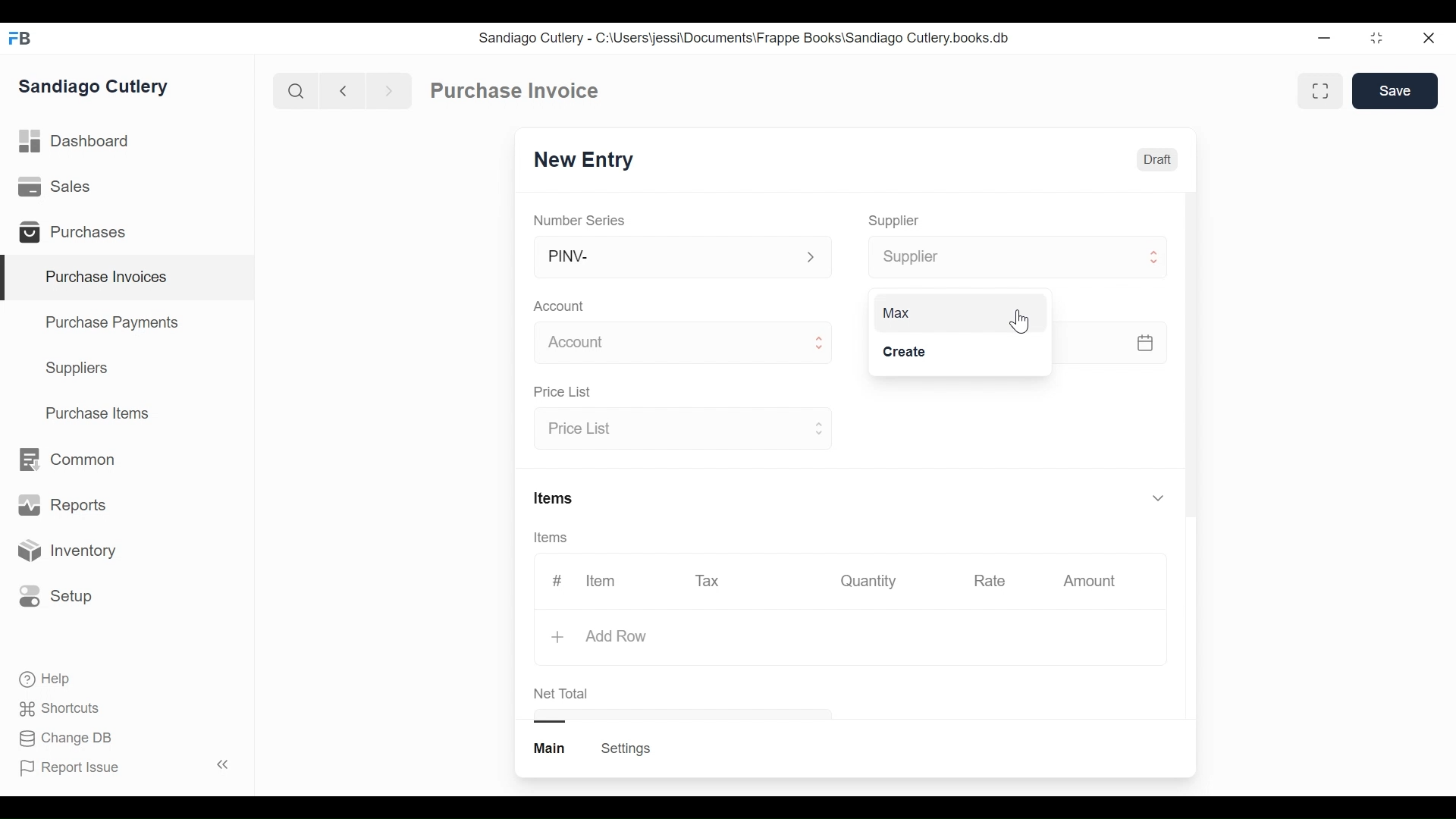  I want to click on Help, so click(46, 679).